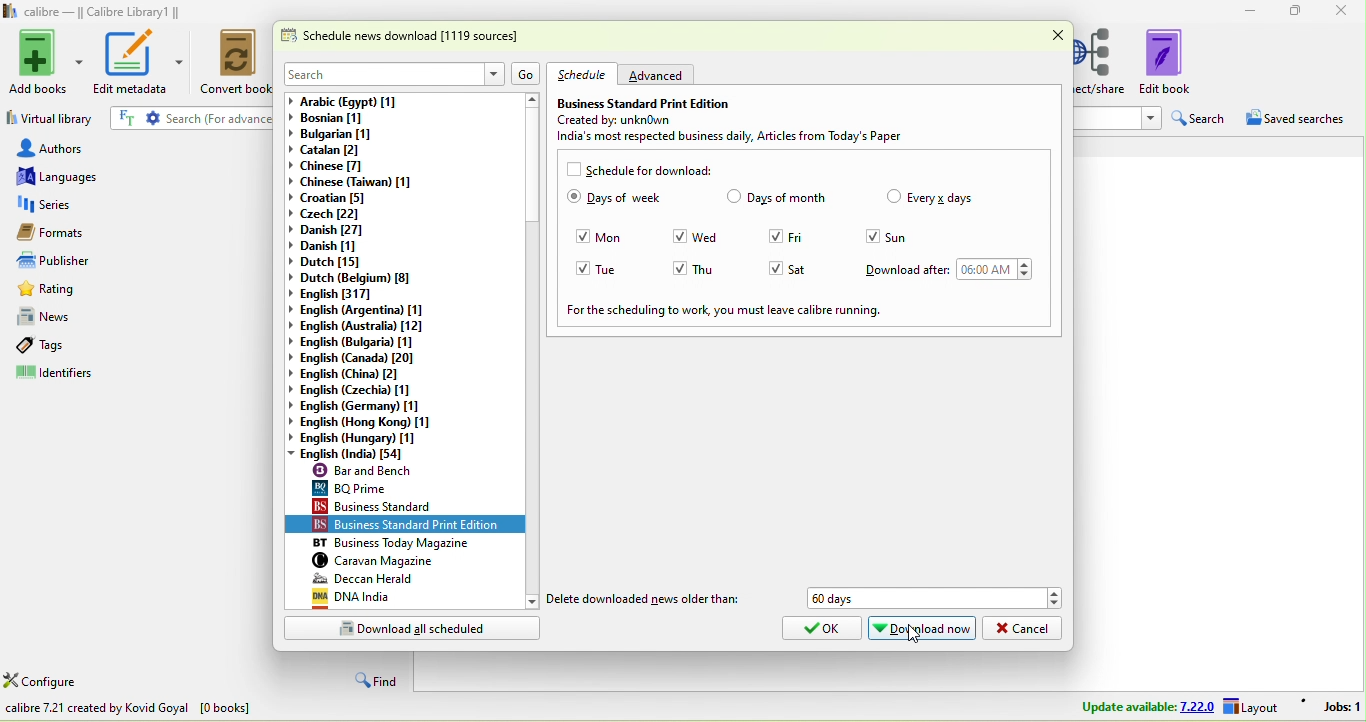  Describe the element at coordinates (584, 73) in the screenshot. I see `schedule ` at that location.